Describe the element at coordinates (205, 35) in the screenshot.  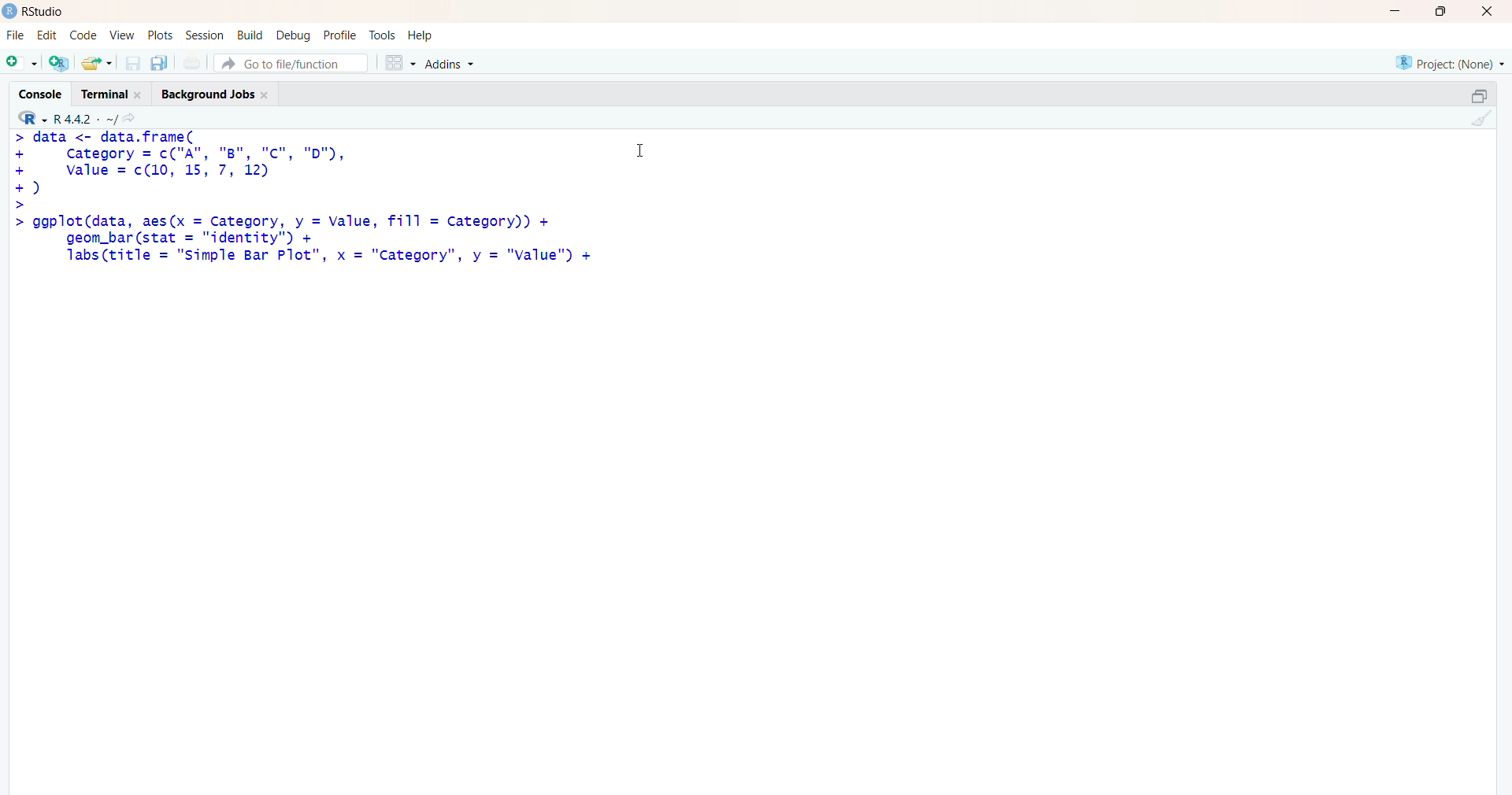
I see `Session` at that location.